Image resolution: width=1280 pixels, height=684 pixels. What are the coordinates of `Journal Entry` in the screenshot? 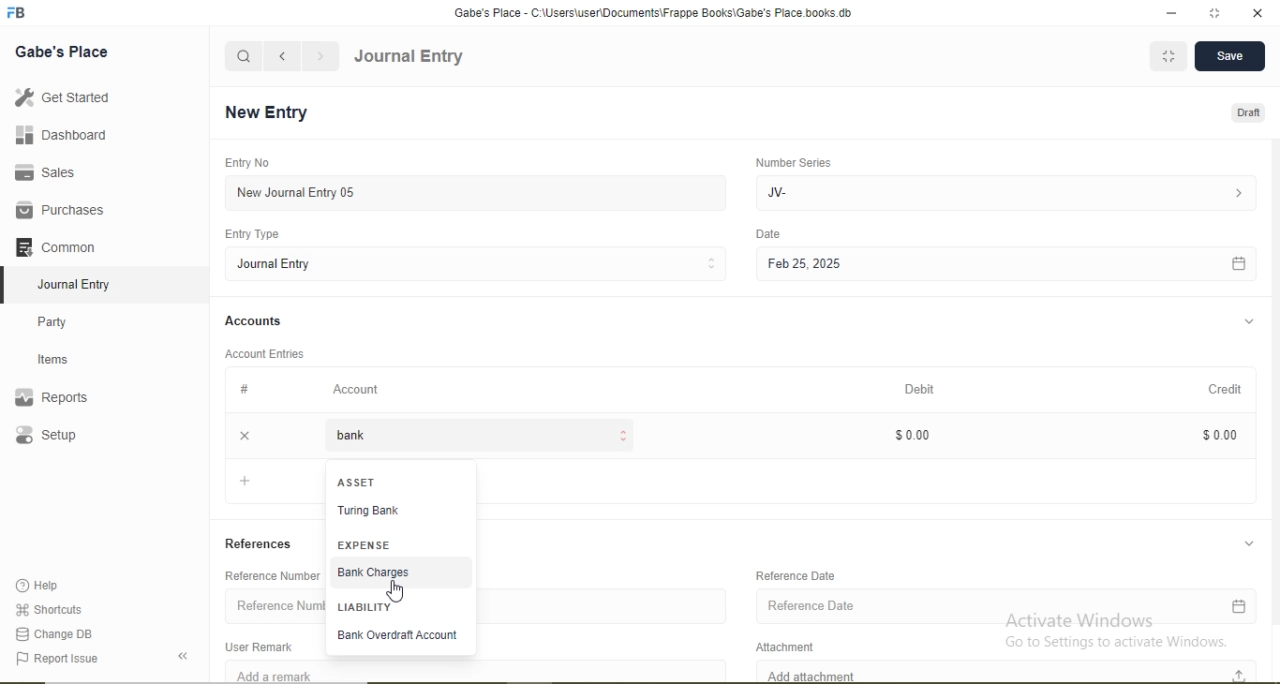 It's located at (478, 263).